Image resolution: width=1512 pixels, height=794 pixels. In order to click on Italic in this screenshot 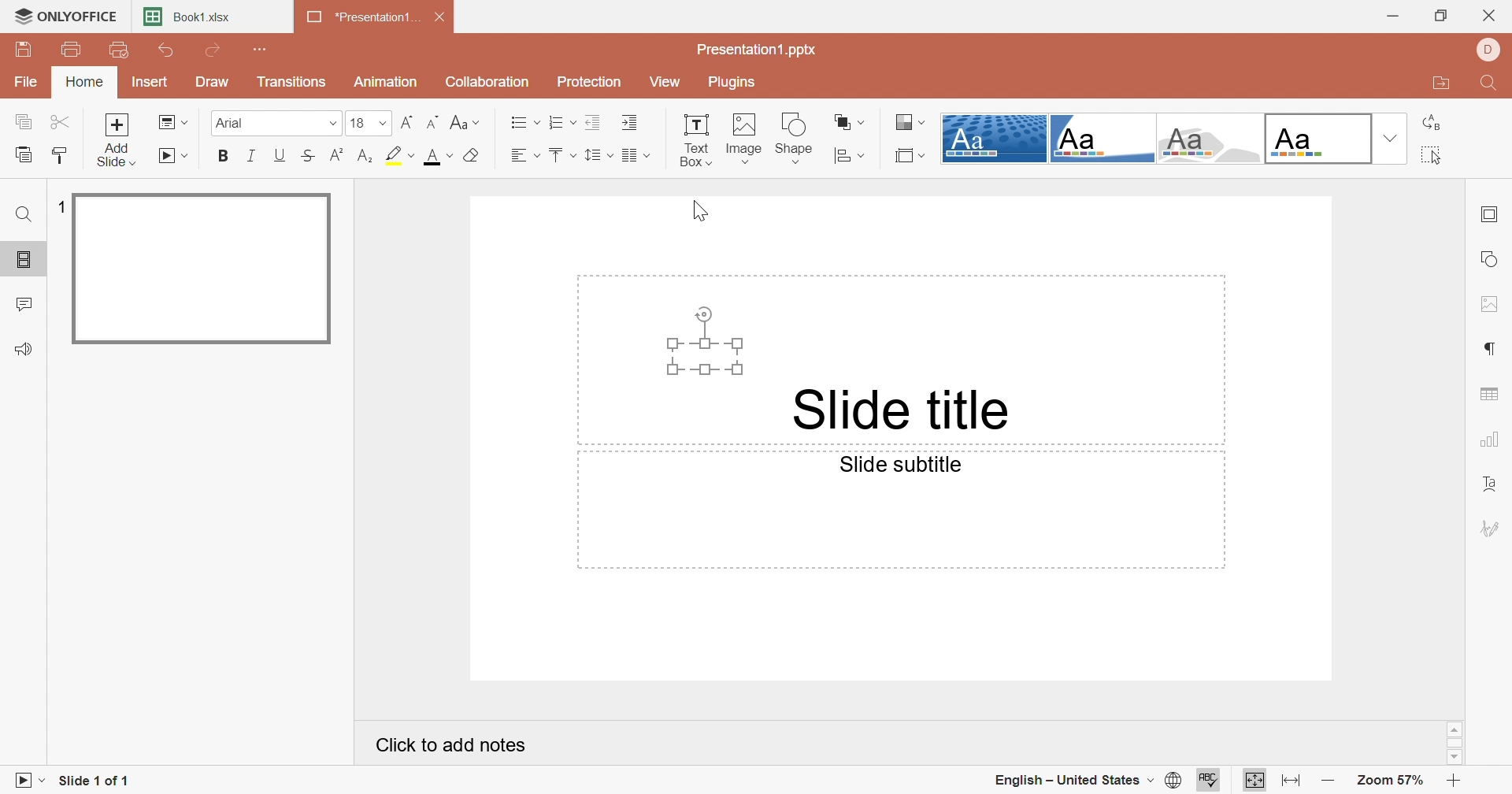, I will do `click(254, 156)`.